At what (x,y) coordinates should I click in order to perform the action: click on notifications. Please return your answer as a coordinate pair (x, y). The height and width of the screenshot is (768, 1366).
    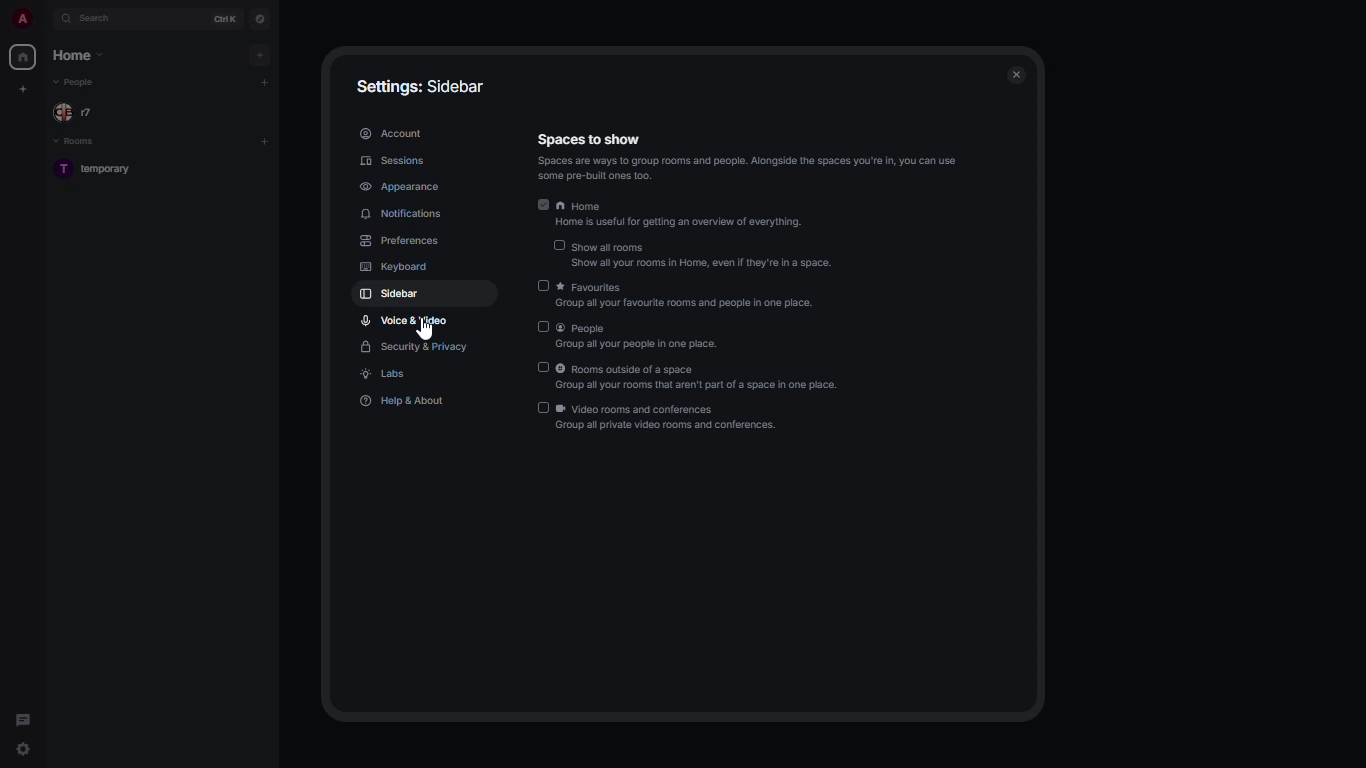
    Looking at the image, I should click on (402, 215).